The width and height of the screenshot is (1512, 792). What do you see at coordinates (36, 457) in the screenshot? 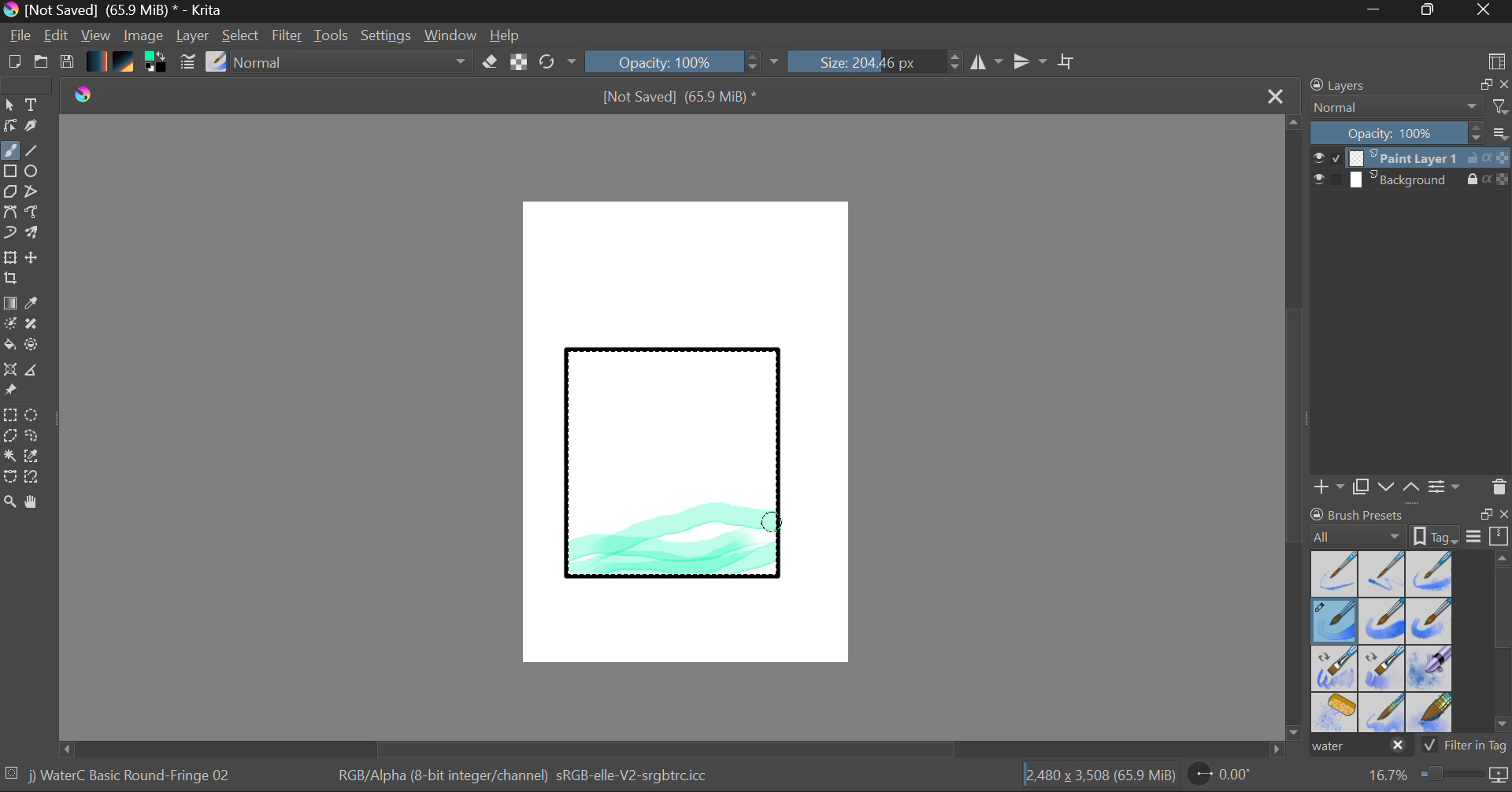
I see `Similar Color Selector` at bounding box center [36, 457].